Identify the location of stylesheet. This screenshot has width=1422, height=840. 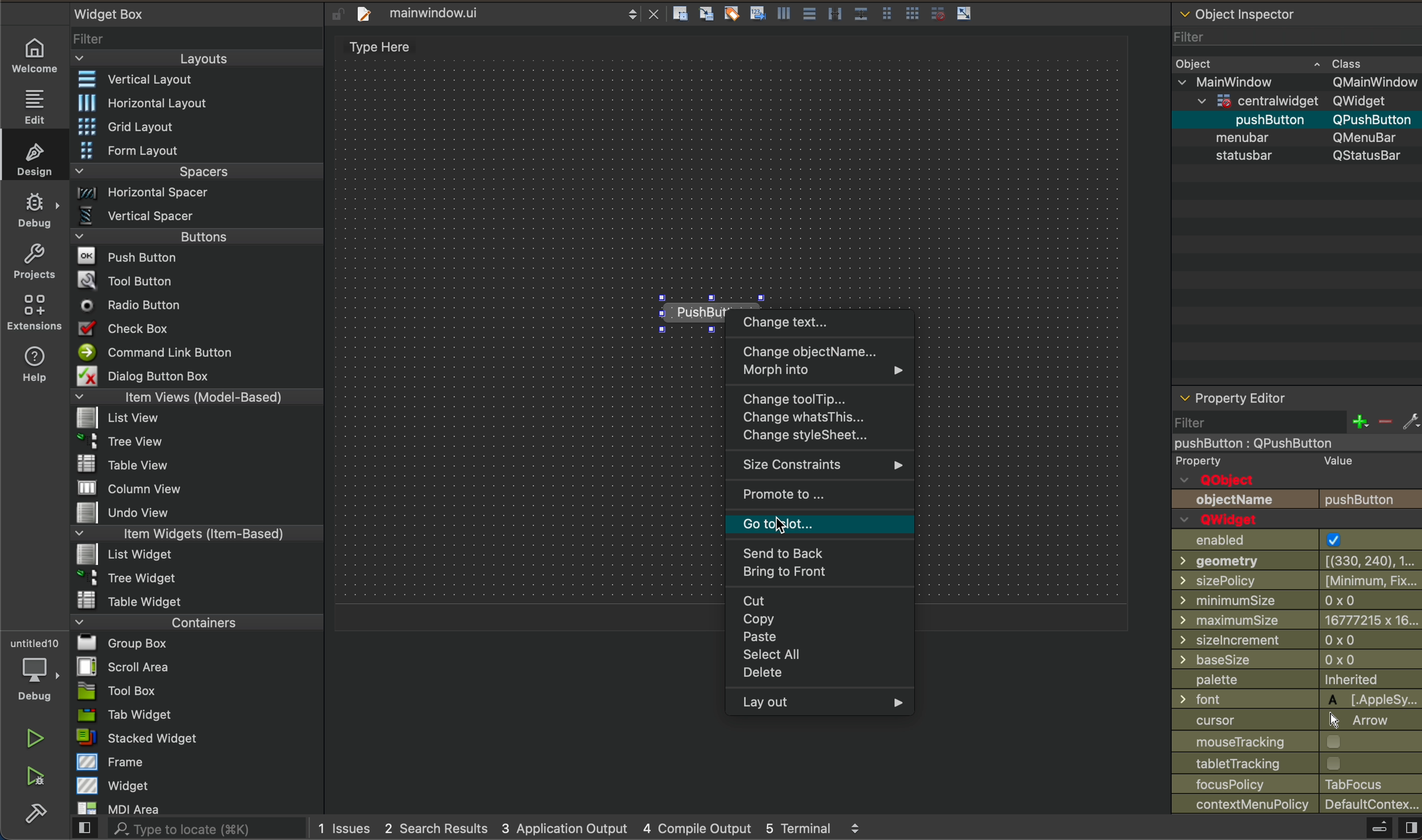
(823, 439).